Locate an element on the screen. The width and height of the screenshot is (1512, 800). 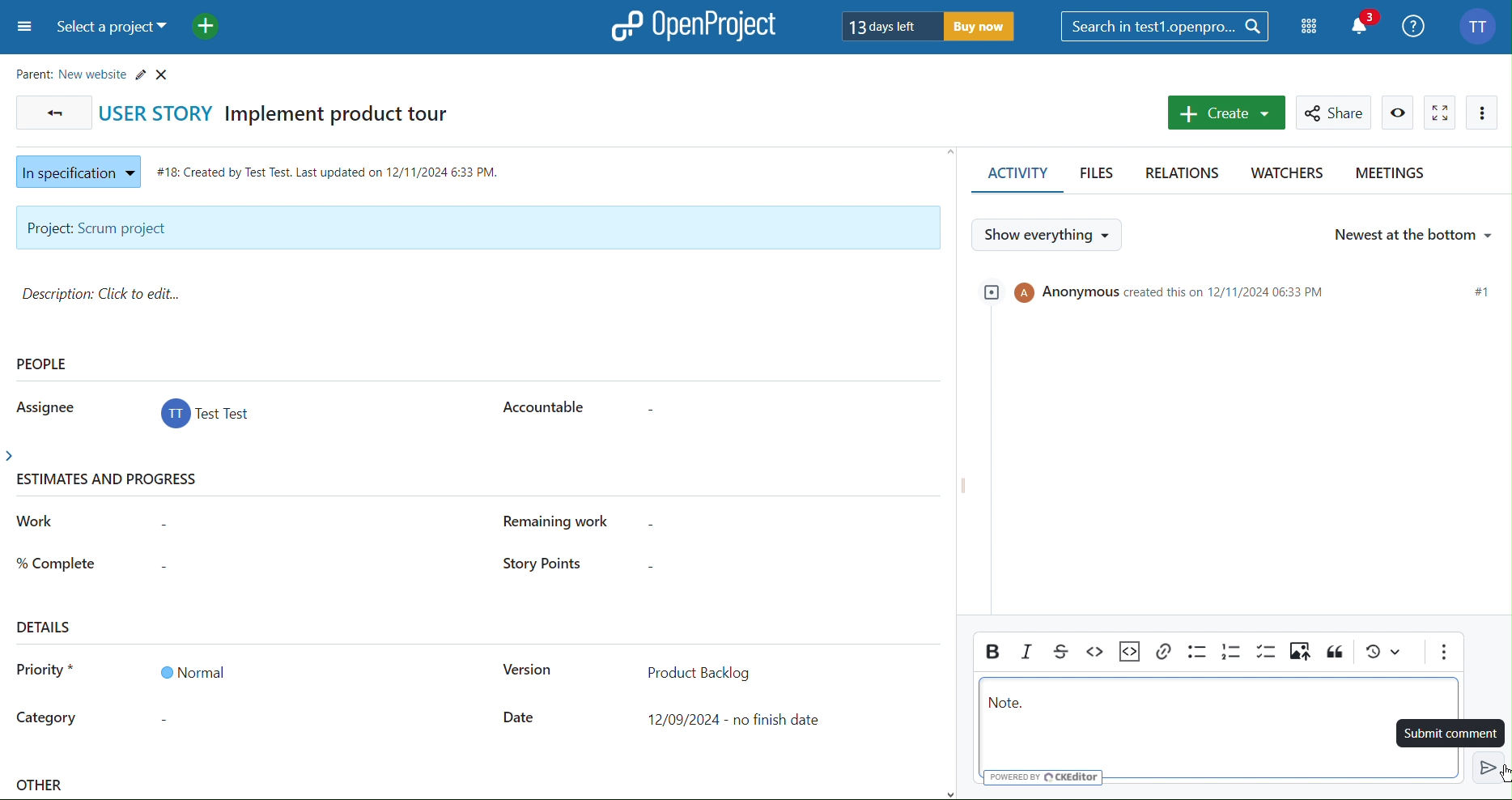
Options is located at coordinates (1443, 653).